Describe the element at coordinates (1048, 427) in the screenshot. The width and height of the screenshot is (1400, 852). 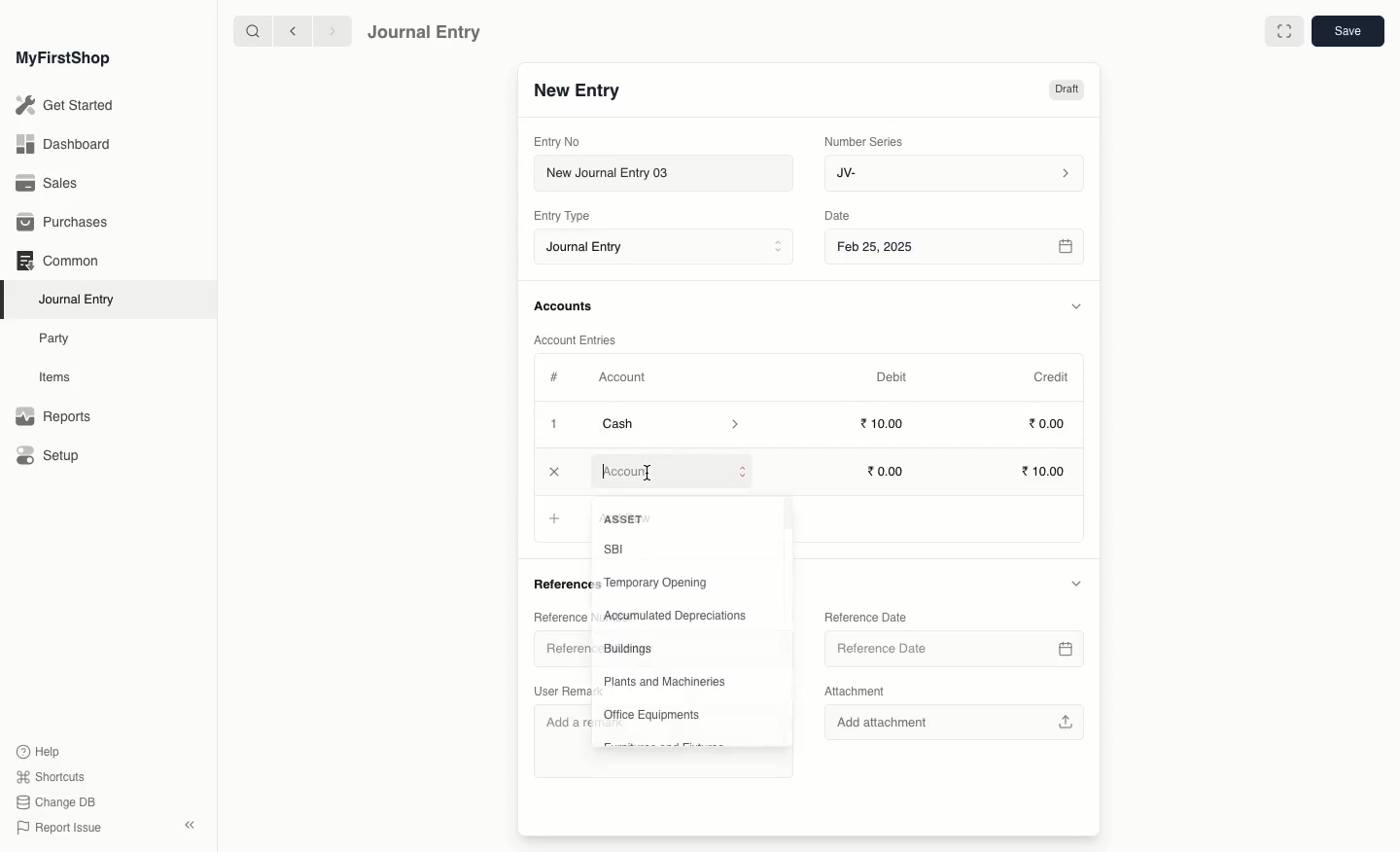
I see `0.00` at that location.